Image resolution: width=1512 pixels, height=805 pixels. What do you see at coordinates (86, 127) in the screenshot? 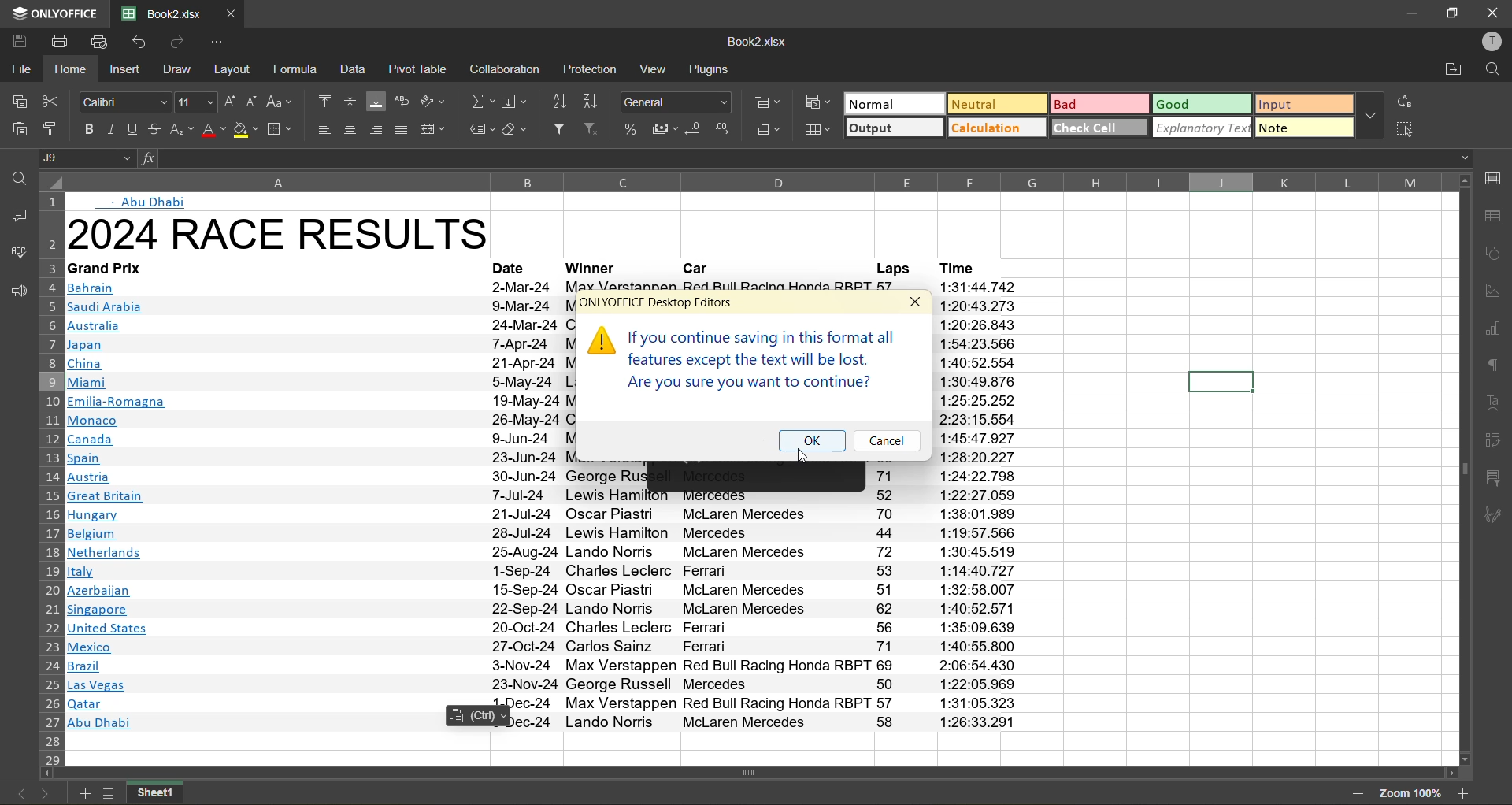
I see `bold` at bounding box center [86, 127].